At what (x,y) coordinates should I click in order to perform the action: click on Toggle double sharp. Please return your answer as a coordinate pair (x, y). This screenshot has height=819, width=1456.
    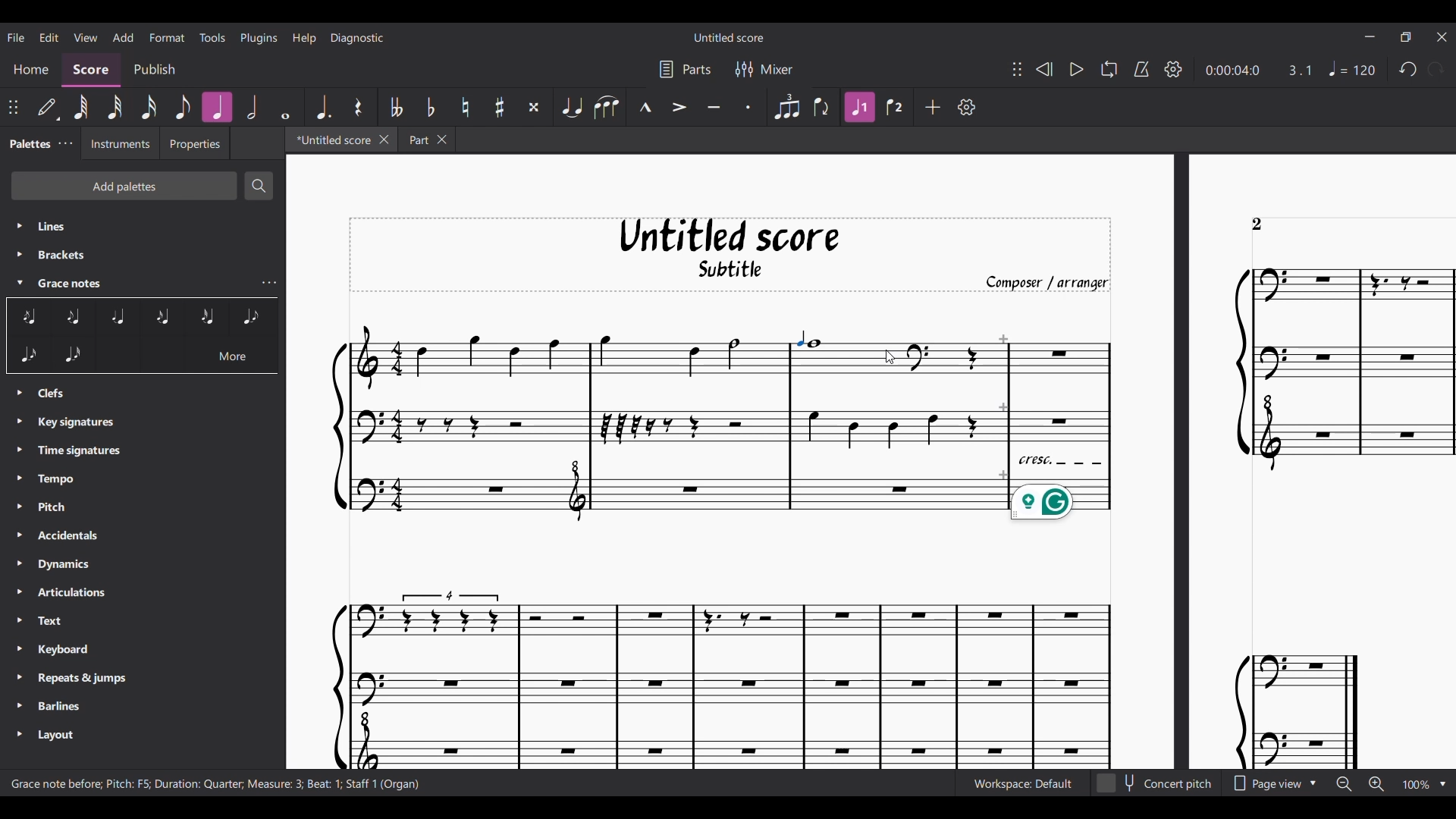
    Looking at the image, I should click on (534, 108).